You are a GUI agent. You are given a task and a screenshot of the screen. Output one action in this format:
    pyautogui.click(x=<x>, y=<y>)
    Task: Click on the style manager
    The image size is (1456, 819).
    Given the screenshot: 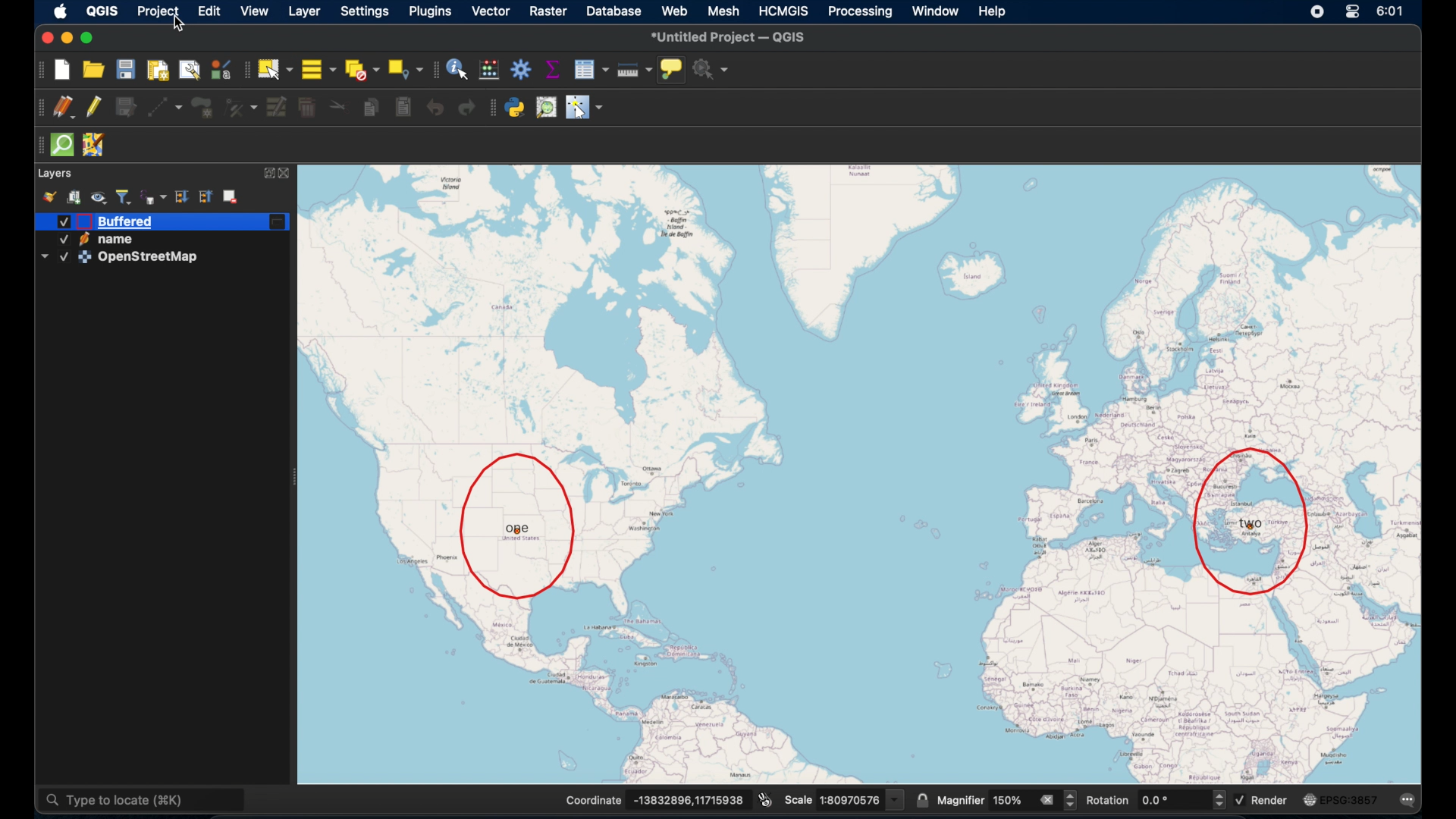 What is the action you would take?
    pyautogui.click(x=51, y=196)
    